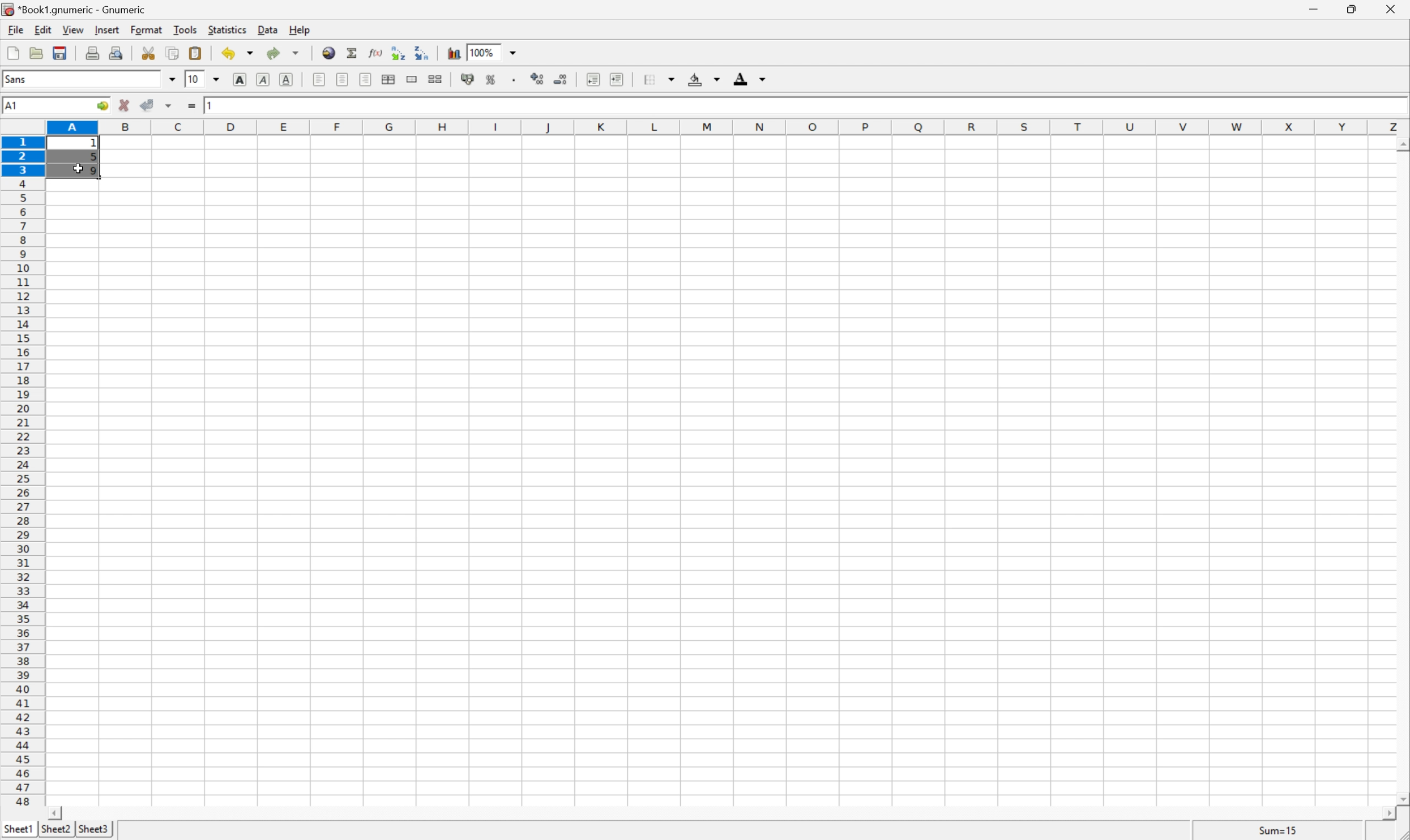 This screenshot has width=1410, height=840. What do you see at coordinates (44, 28) in the screenshot?
I see `edit` at bounding box center [44, 28].